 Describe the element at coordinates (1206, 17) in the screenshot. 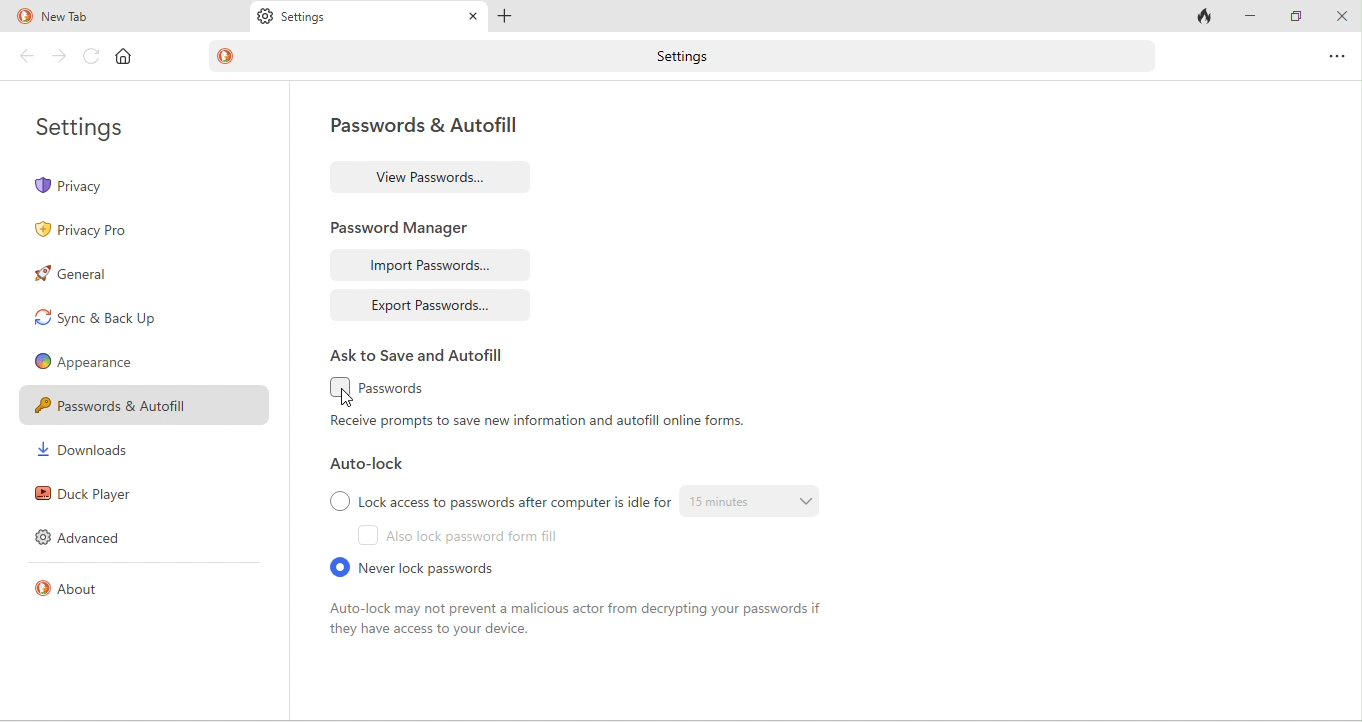

I see `close tabs and clear data` at that location.